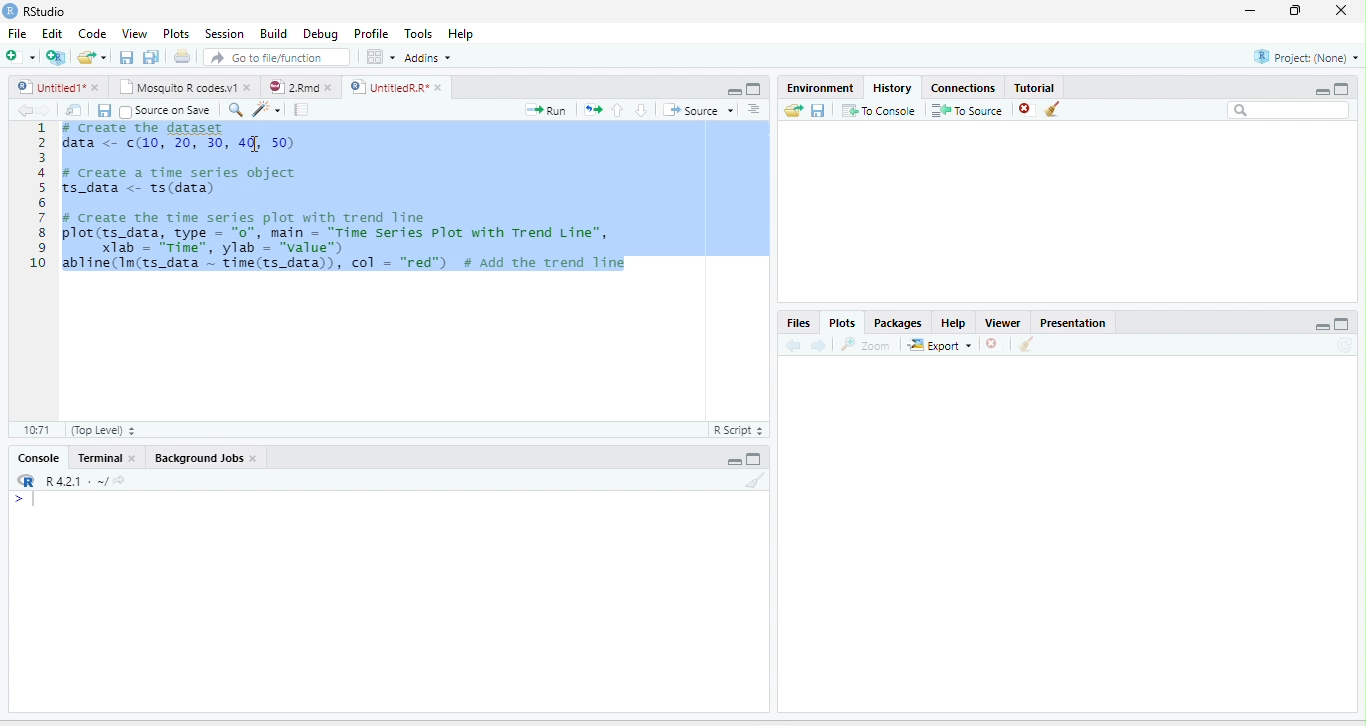 Image resolution: width=1366 pixels, height=726 pixels. Describe the element at coordinates (44, 110) in the screenshot. I see `Go forward to next source location` at that location.